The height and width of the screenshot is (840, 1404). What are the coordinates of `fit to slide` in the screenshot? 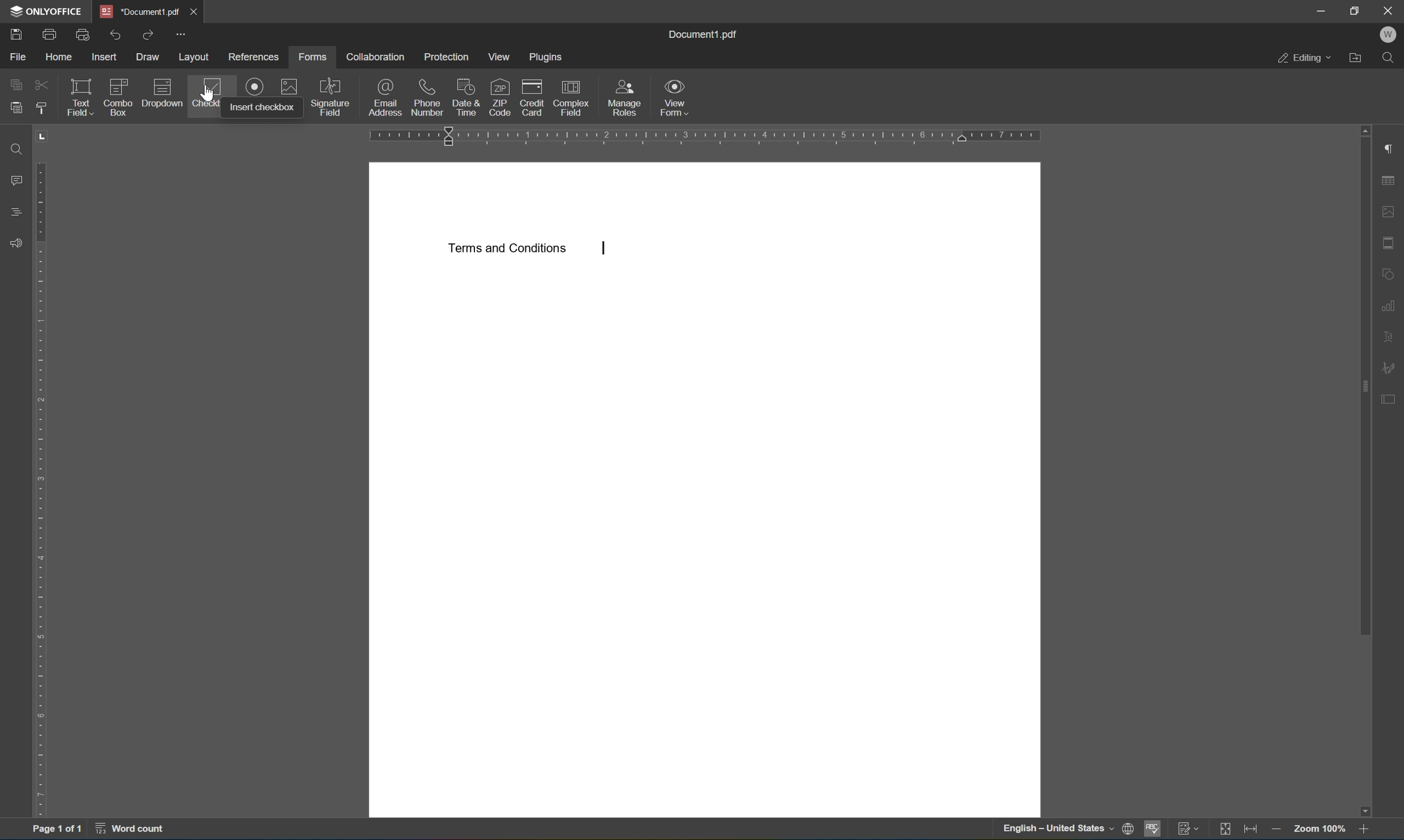 It's located at (1222, 830).